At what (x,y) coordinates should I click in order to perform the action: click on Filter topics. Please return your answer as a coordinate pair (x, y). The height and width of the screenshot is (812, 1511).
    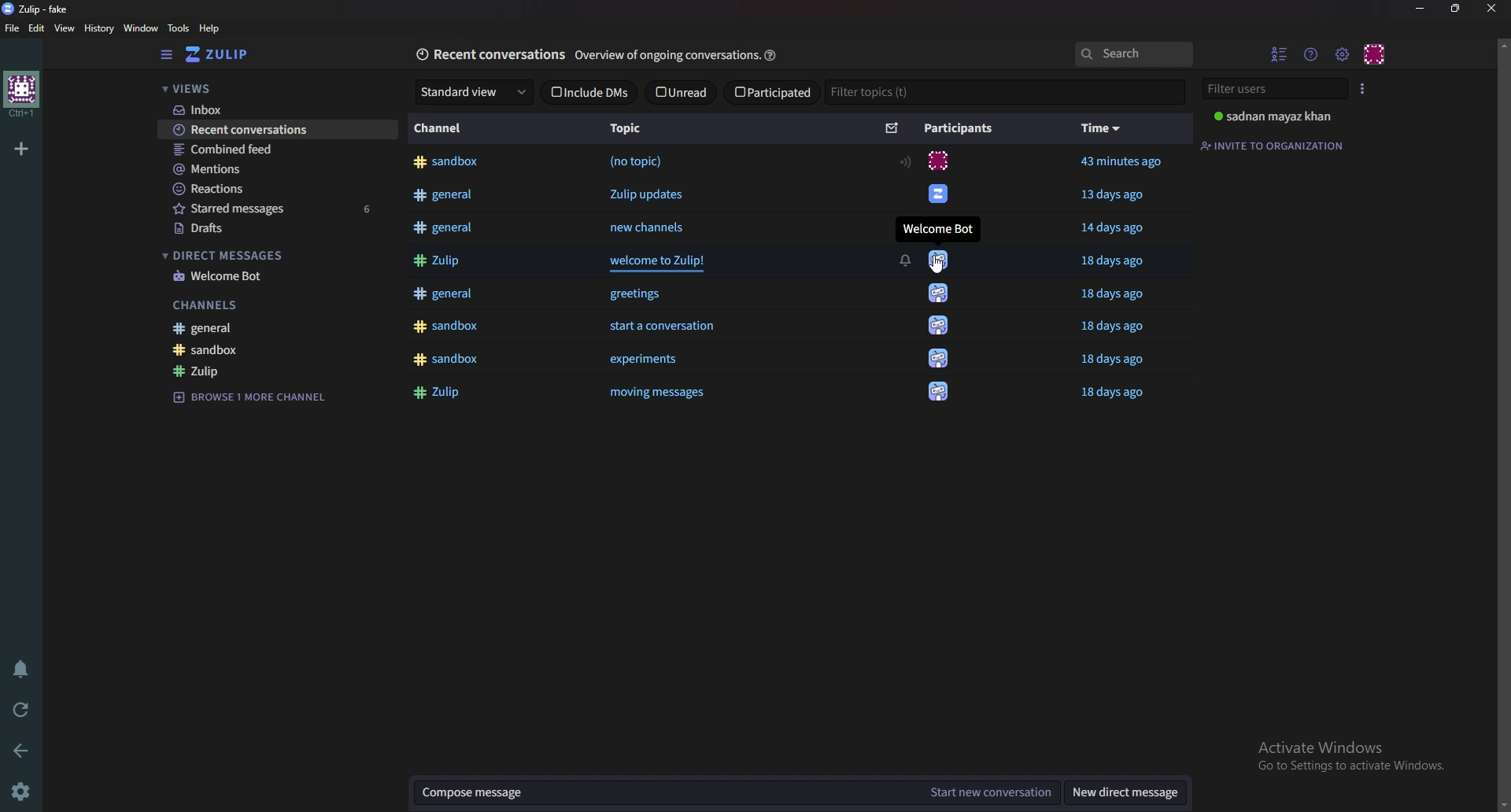
    Looking at the image, I should click on (870, 92).